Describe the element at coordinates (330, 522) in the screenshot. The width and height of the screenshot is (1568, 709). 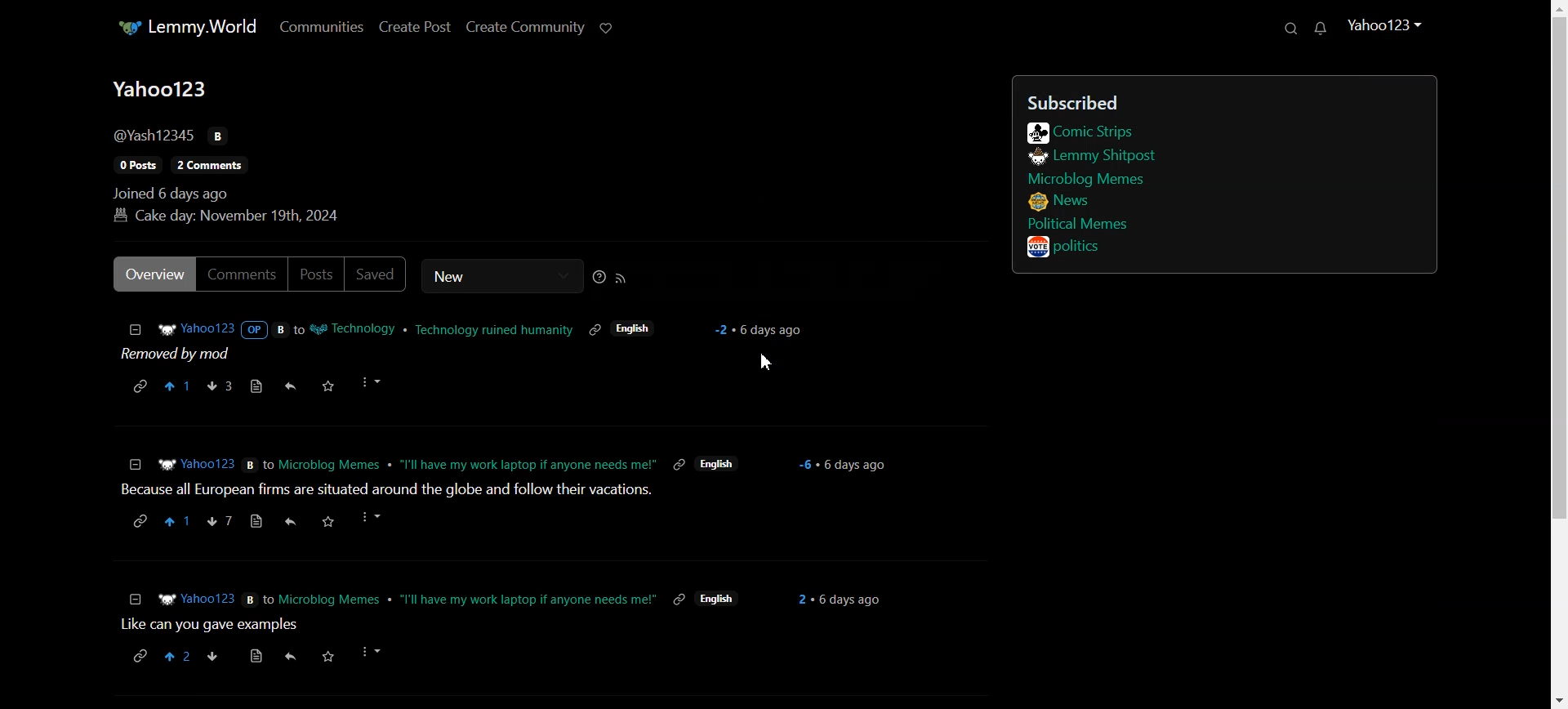
I see `save` at that location.